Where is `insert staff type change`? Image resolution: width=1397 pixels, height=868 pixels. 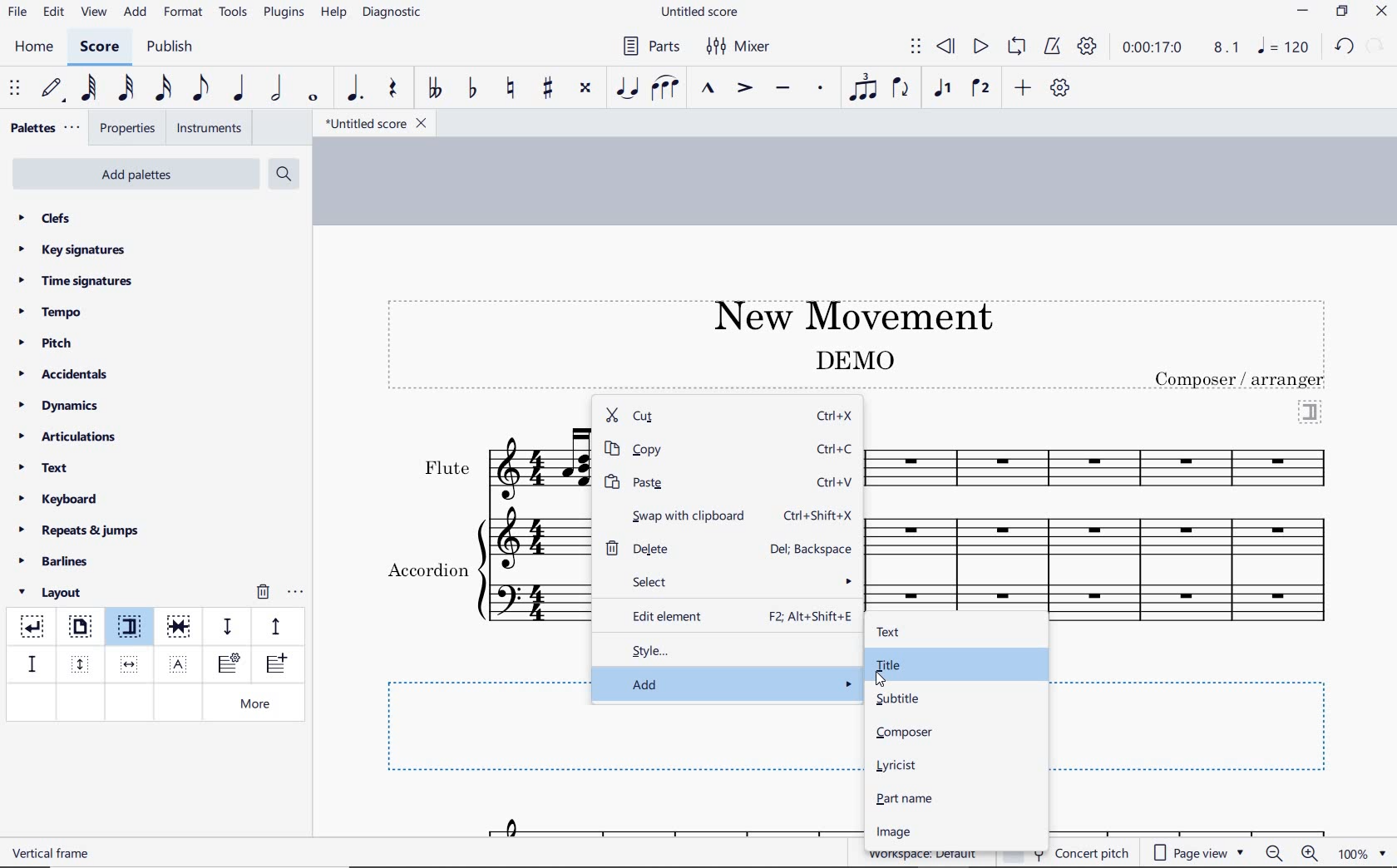 insert staff type change is located at coordinates (229, 664).